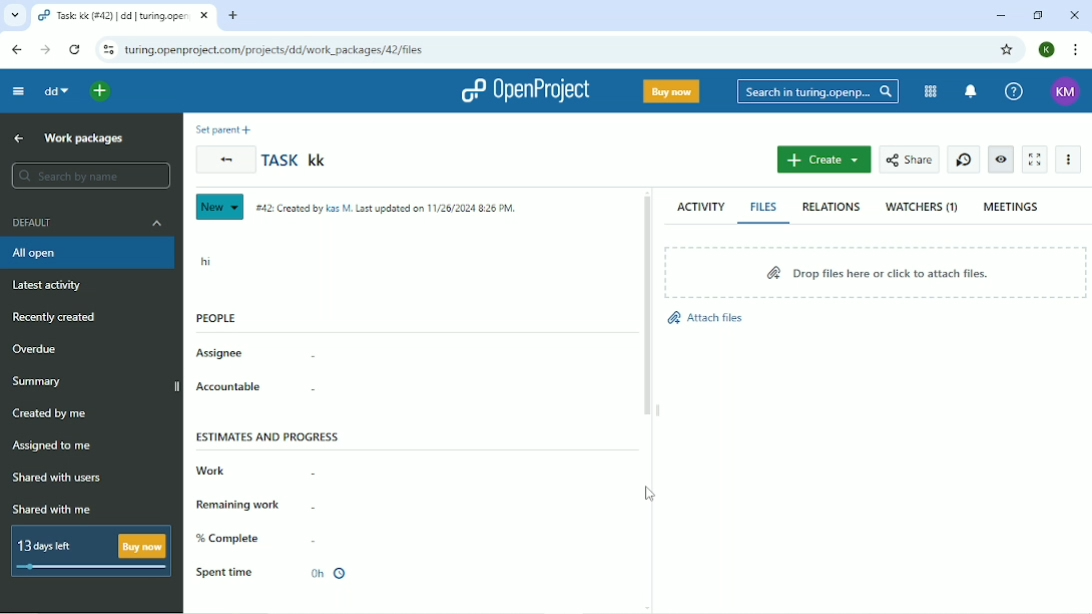 The width and height of the screenshot is (1092, 614). What do you see at coordinates (87, 255) in the screenshot?
I see `All open` at bounding box center [87, 255].